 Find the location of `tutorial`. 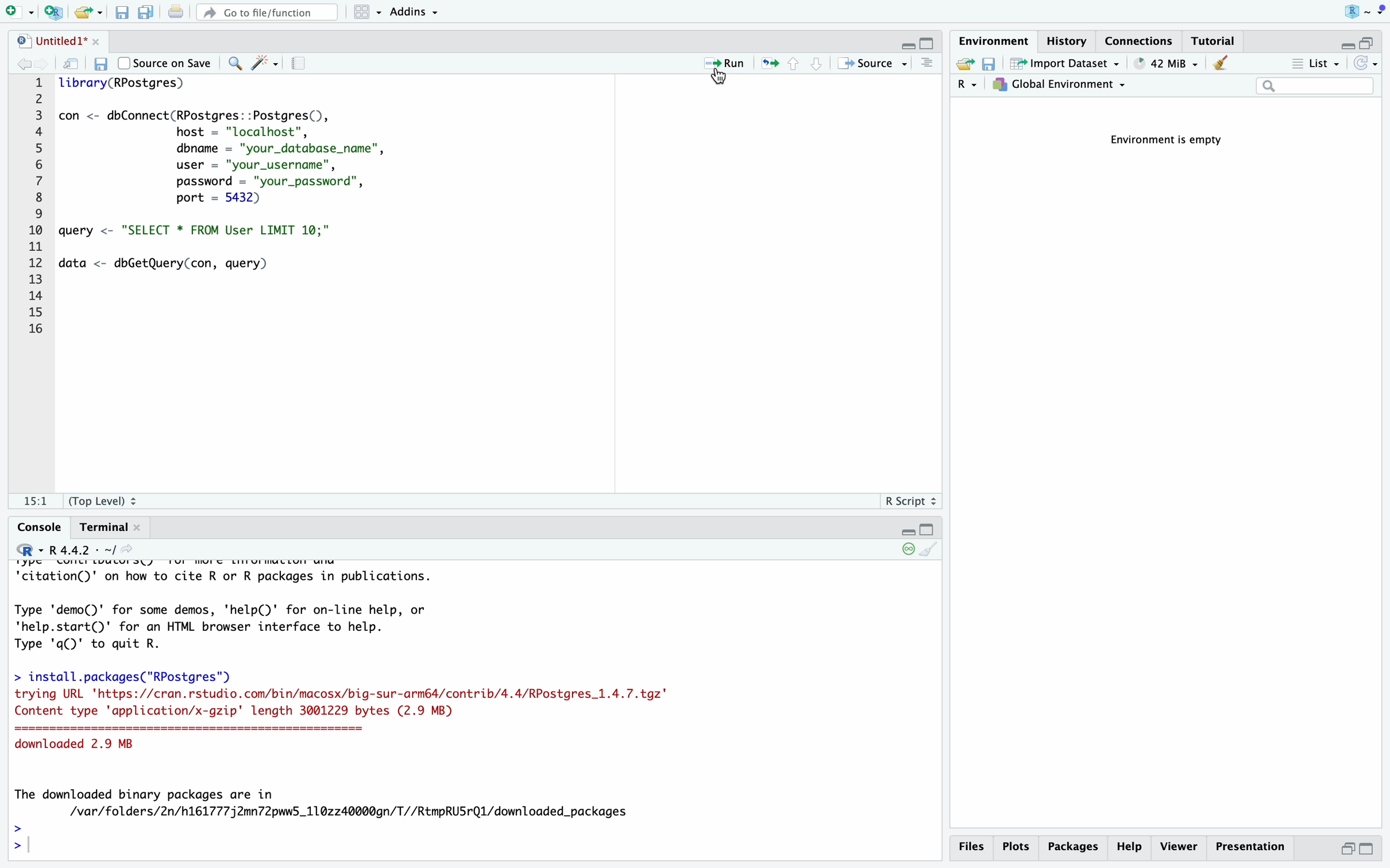

tutorial is located at coordinates (1216, 40).